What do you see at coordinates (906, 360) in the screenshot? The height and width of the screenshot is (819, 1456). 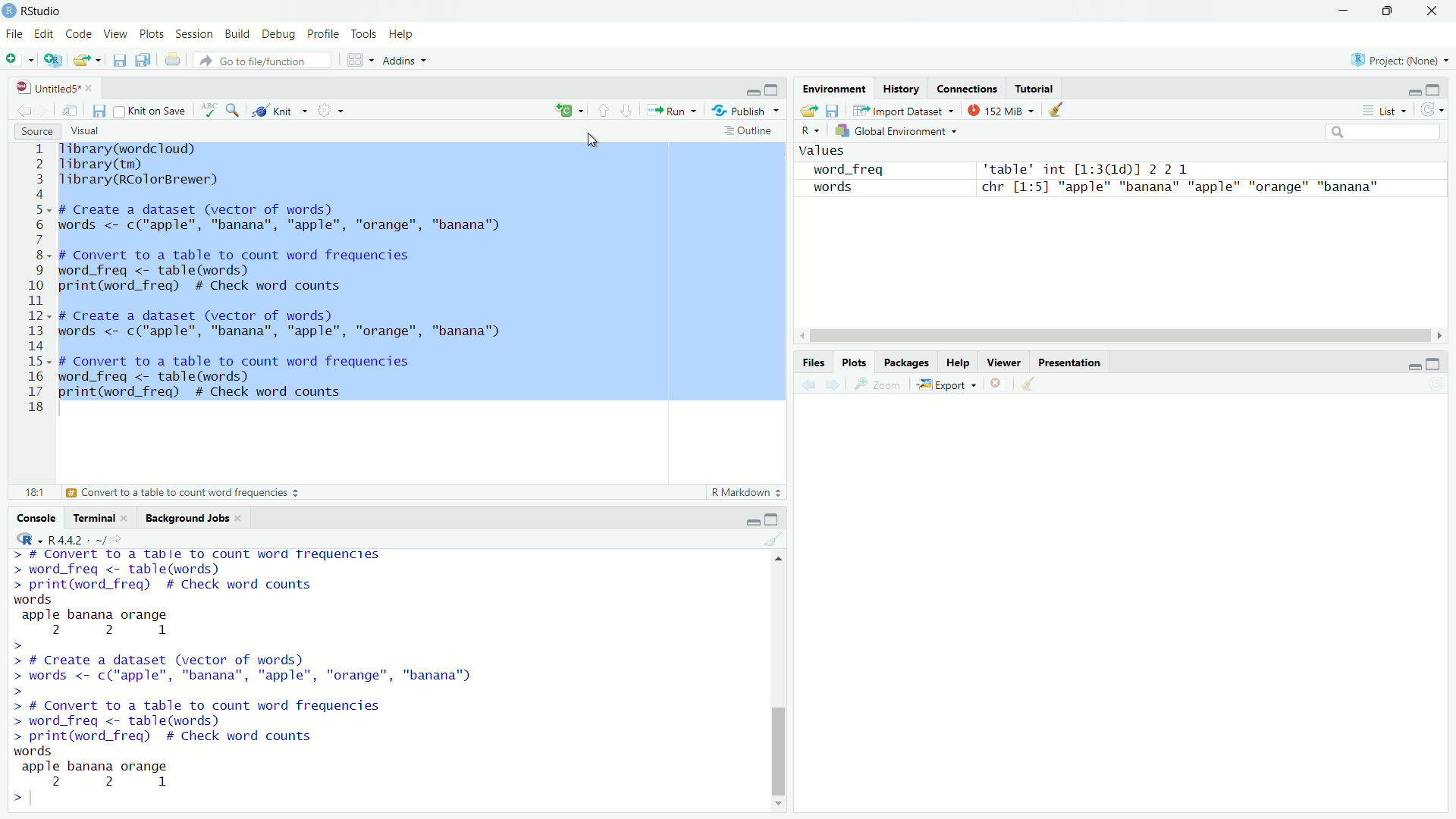 I see `Packages` at bounding box center [906, 360].